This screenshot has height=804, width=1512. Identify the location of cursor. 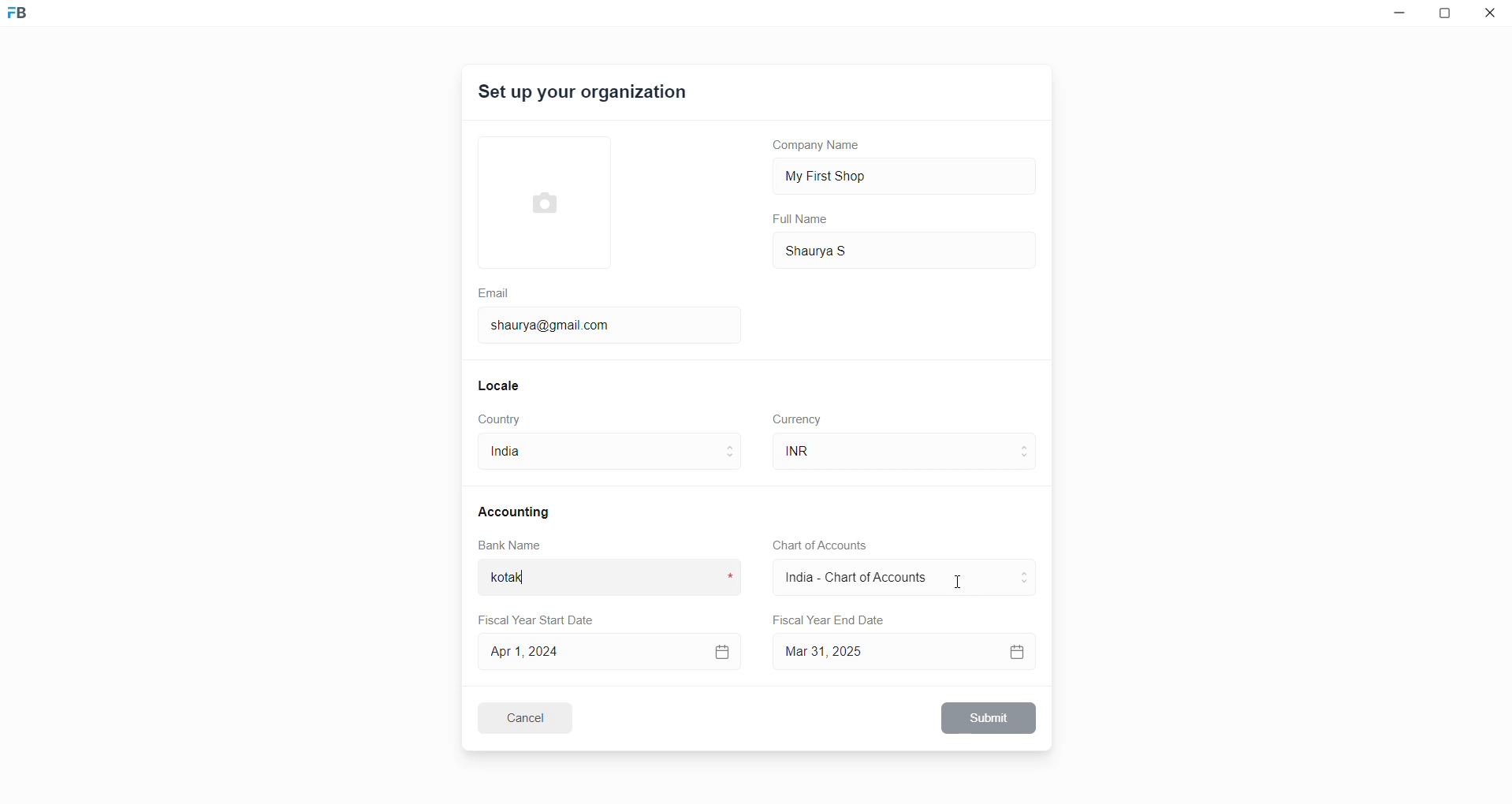
(960, 584).